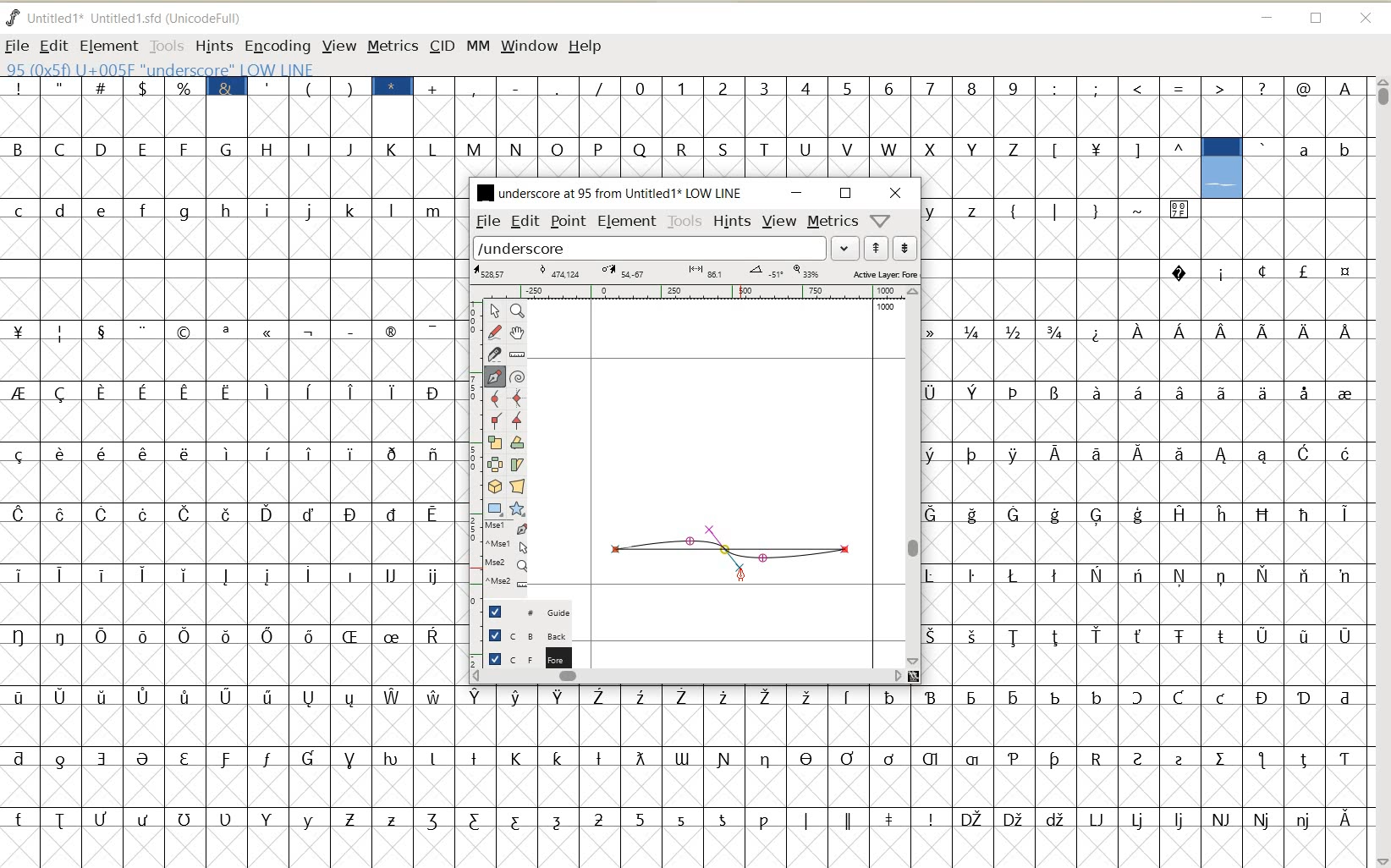 The height and width of the screenshot is (868, 1391). Describe the element at coordinates (695, 272) in the screenshot. I see `ACTIVE LAYR` at that location.